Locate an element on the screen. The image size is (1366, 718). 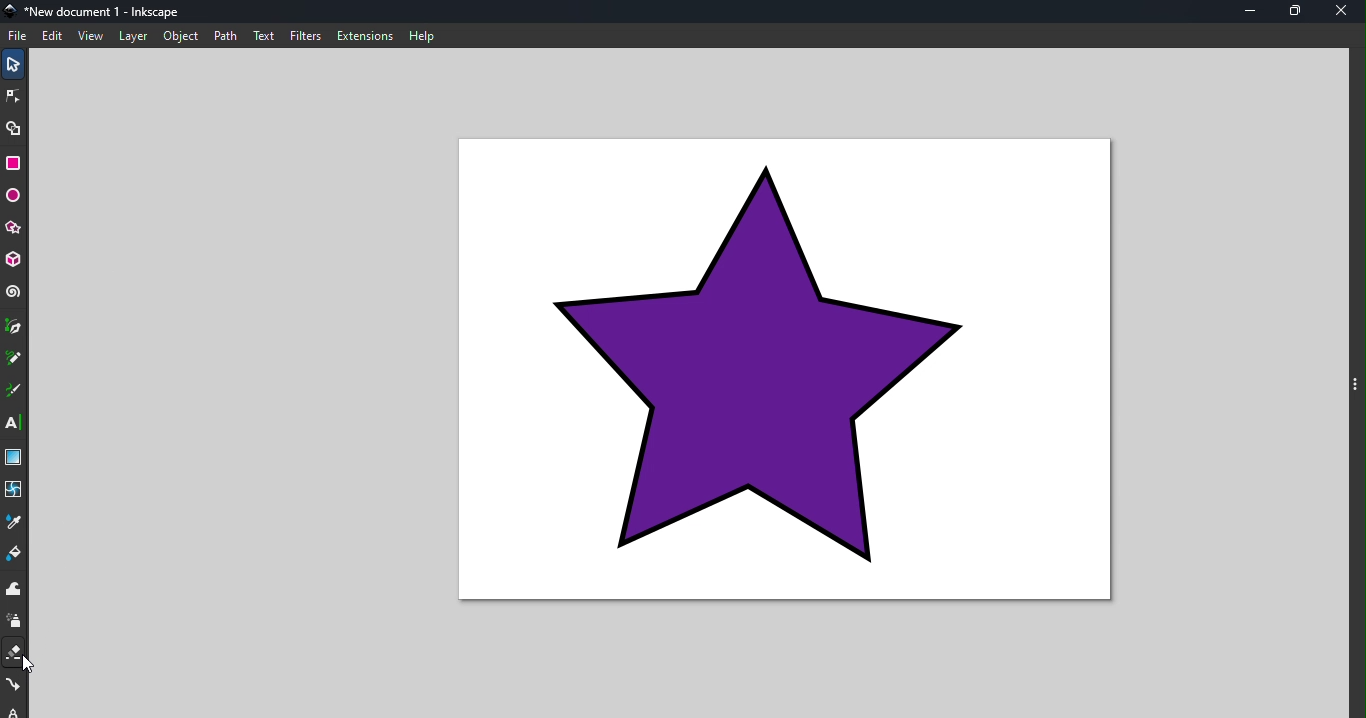
paint bucket tool is located at coordinates (15, 555).